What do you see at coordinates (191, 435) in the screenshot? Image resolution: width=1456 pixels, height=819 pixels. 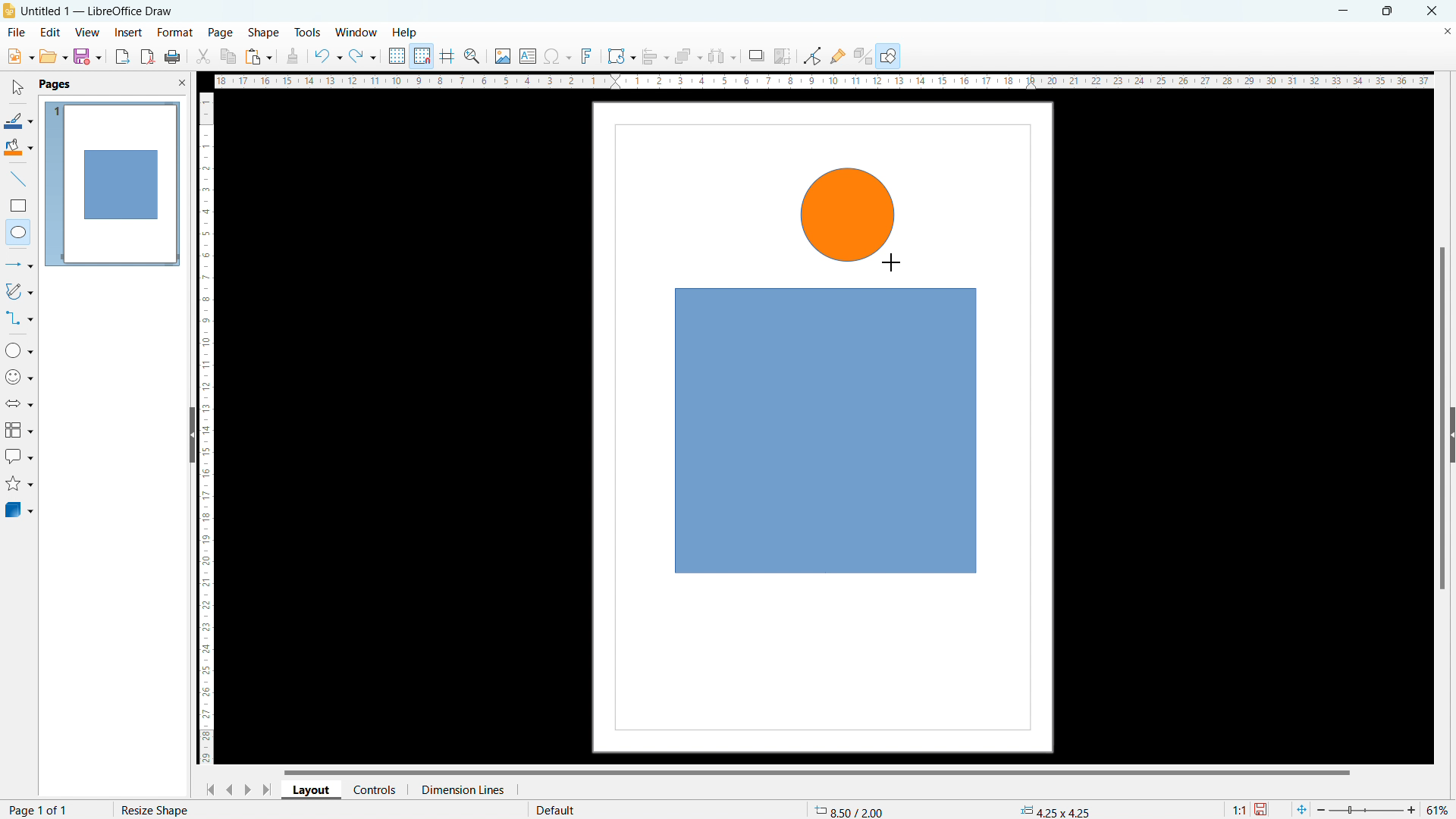 I see `hide pane` at bounding box center [191, 435].